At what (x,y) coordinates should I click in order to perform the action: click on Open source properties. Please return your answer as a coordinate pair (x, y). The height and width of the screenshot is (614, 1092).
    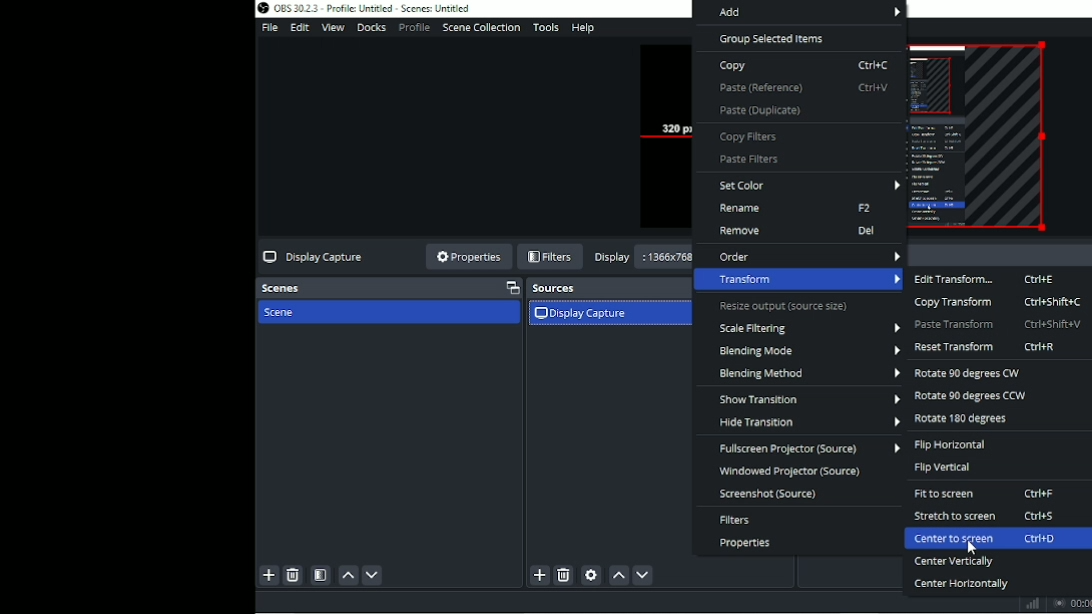
    Looking at the image, I should click on (591, 575).